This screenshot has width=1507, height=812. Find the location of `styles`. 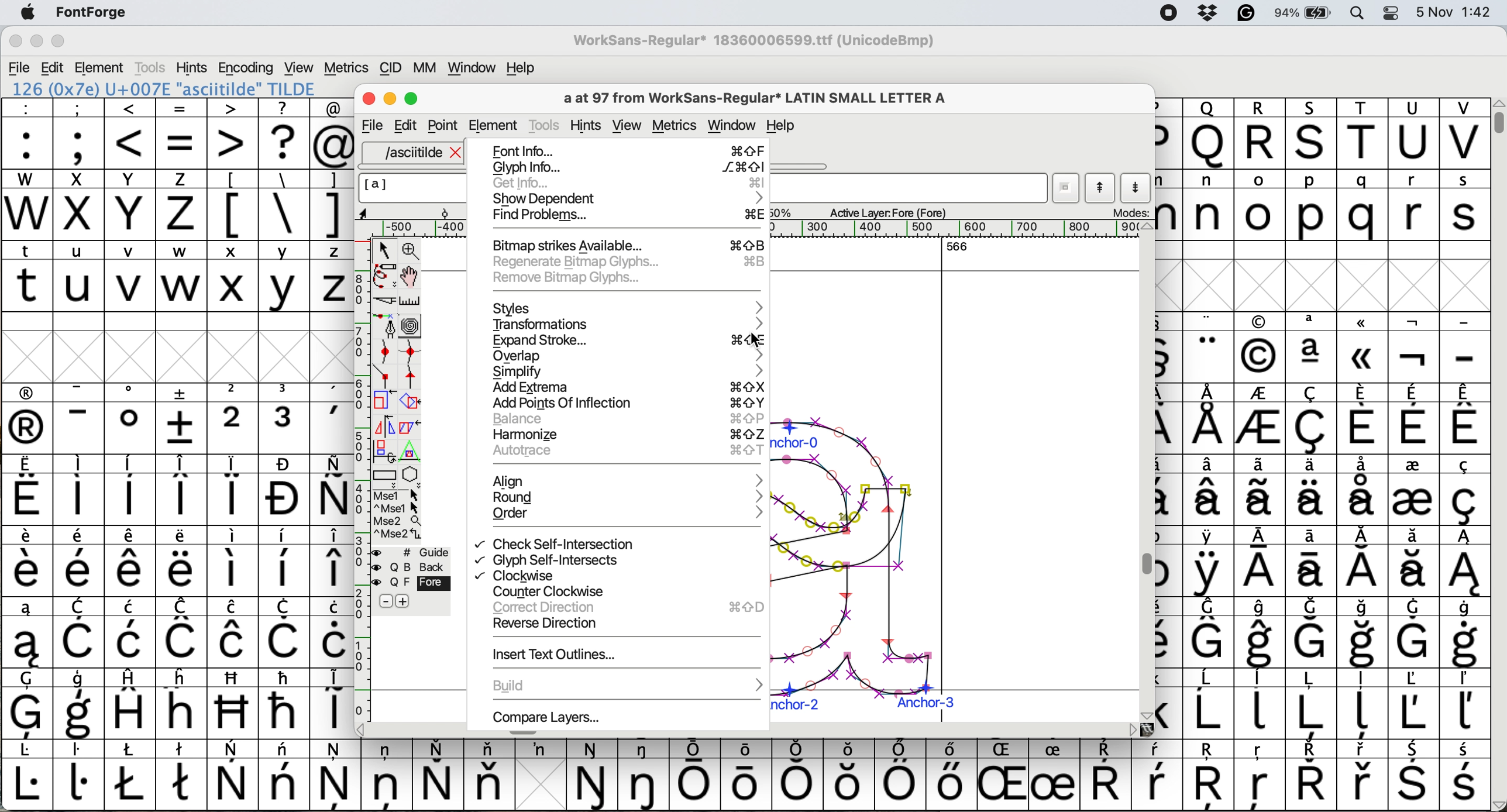

styles is located at coordinates (628, 306).